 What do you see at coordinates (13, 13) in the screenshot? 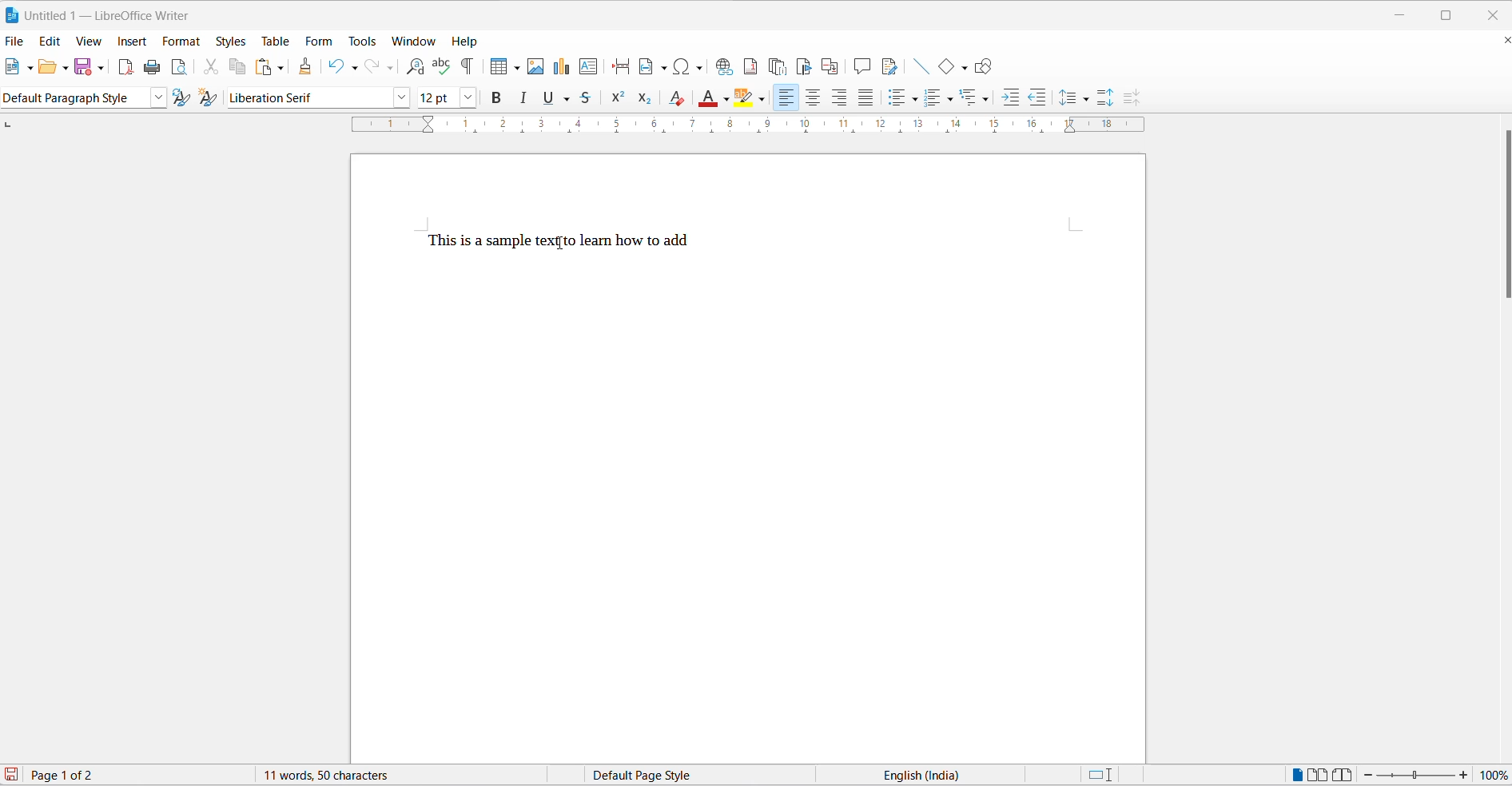
I see `logo` at bounding box center [13, 13].